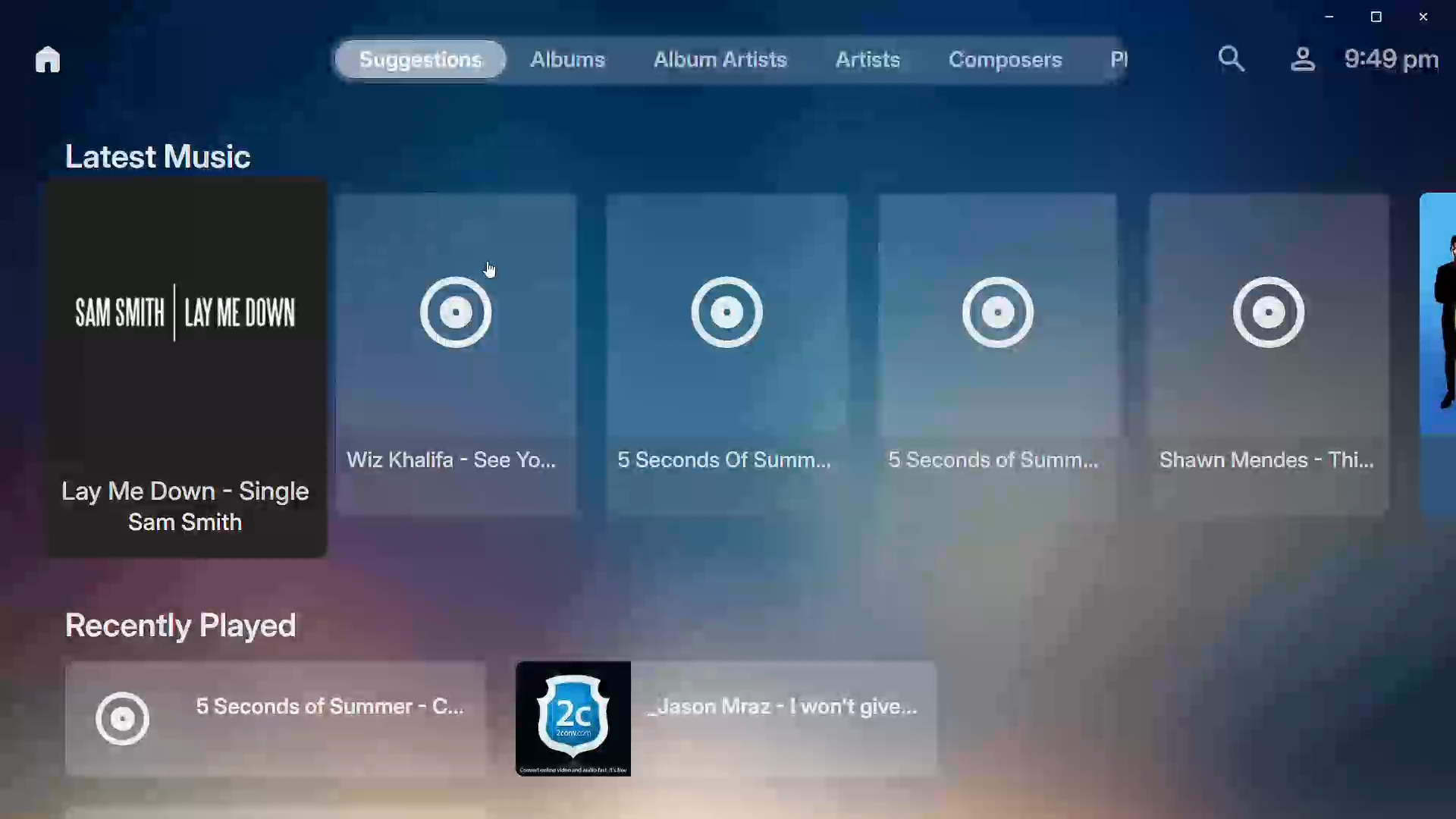 This screenshot has height=819, width=1456. What do you see at coordinates (174, 366) in the screenshot?
I see `Sam Smith` at bounding box center [174, 366].